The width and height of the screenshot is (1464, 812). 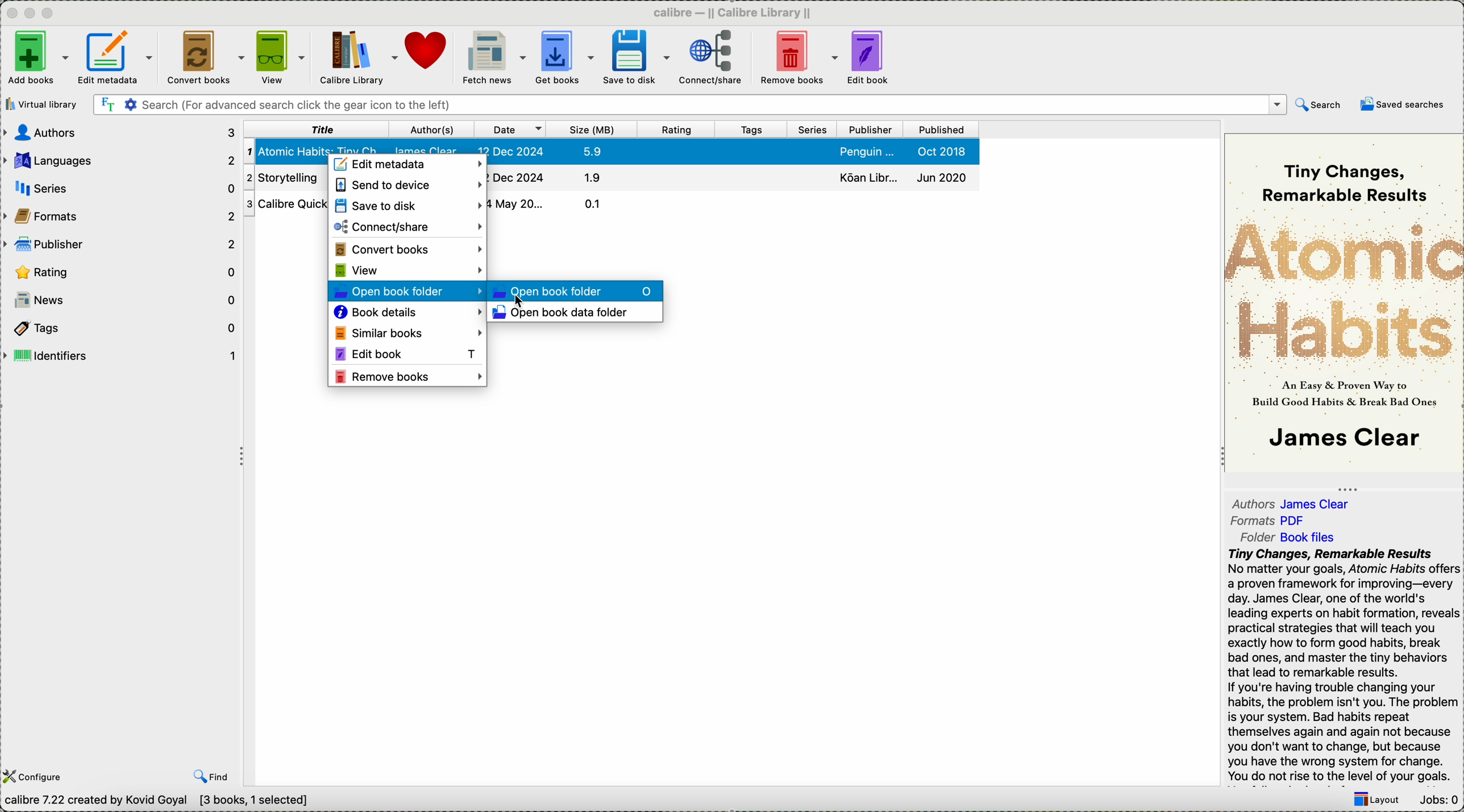 What do you see at coordinates (120, 158) in the screenshot?
I see `languages` at bounding box center [120, 158].